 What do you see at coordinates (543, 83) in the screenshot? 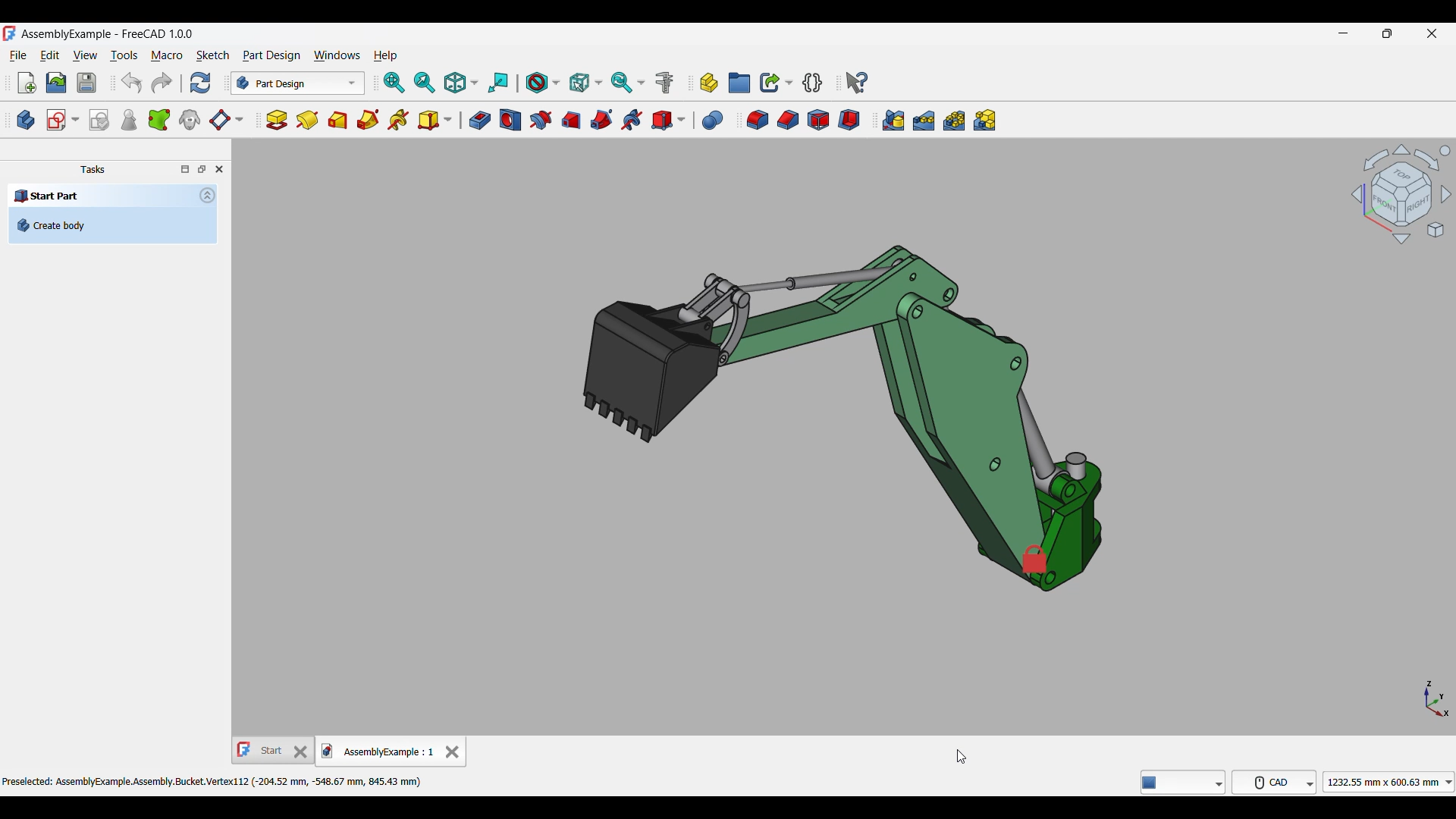
I see `Draw style options` at bounding box center [543, 83].